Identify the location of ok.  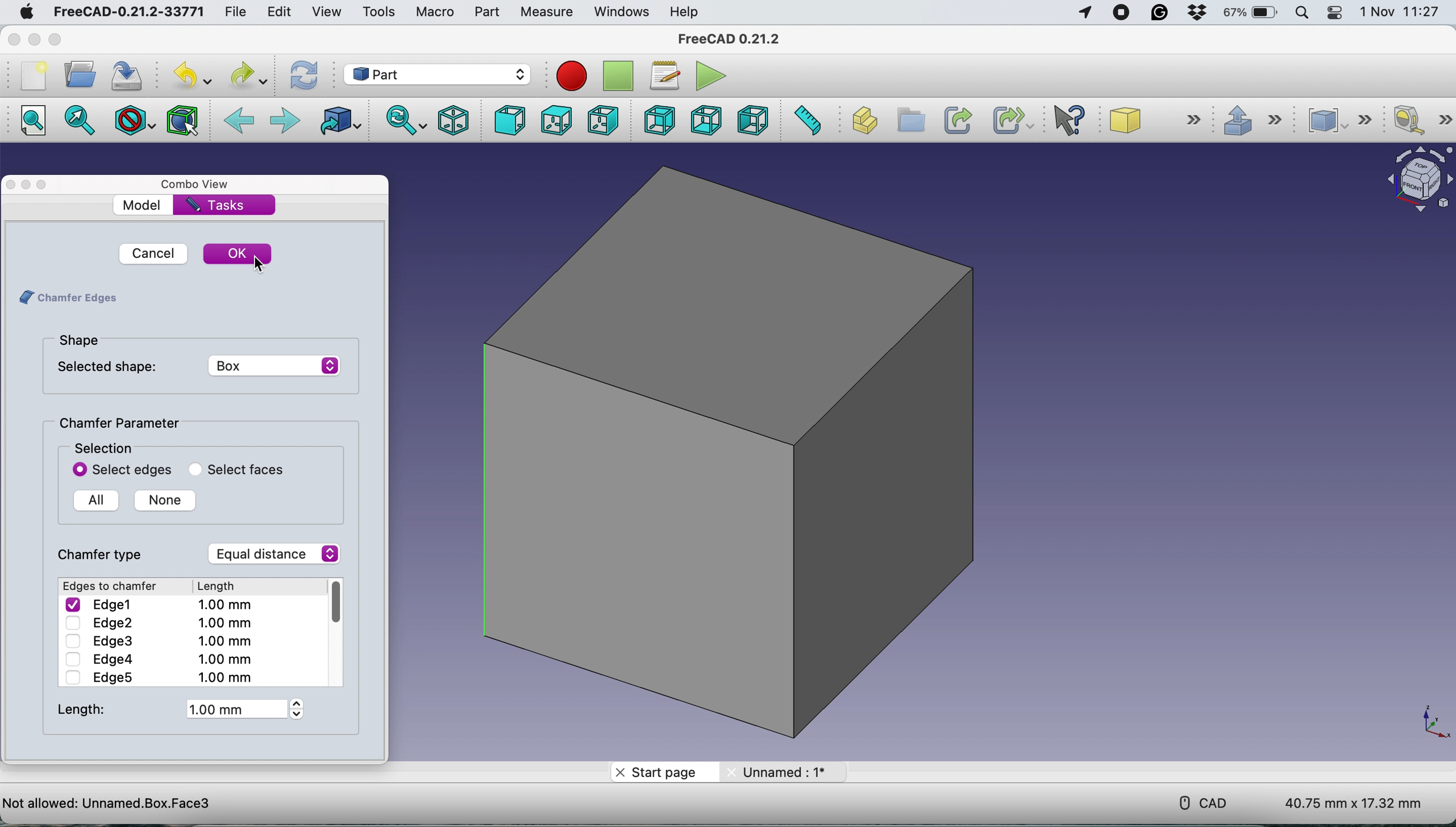
(231, 253).